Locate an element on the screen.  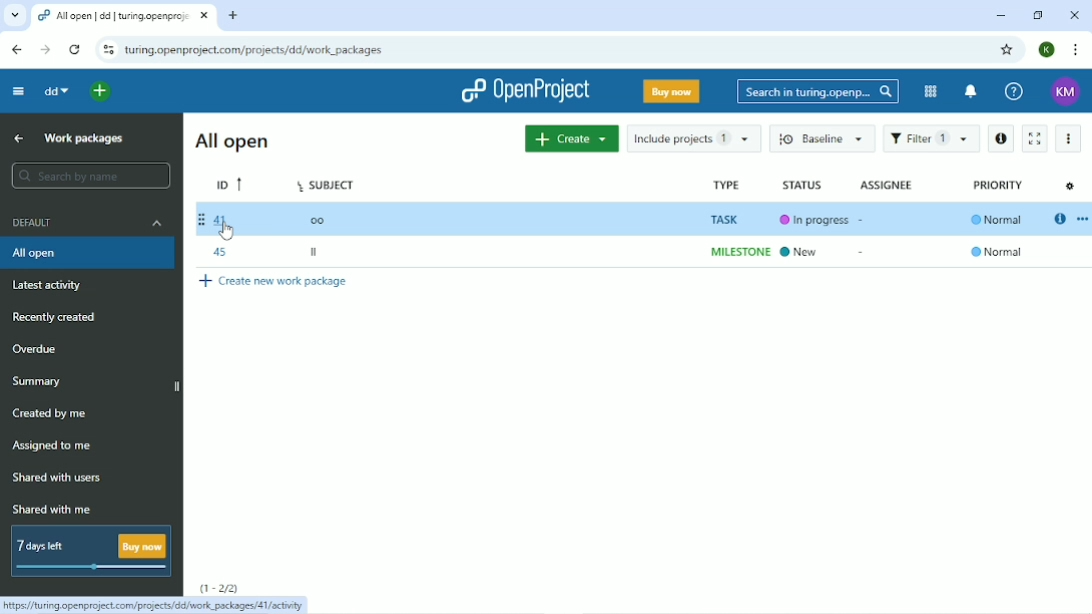
Latest activity is located at coordinates (50, 285).